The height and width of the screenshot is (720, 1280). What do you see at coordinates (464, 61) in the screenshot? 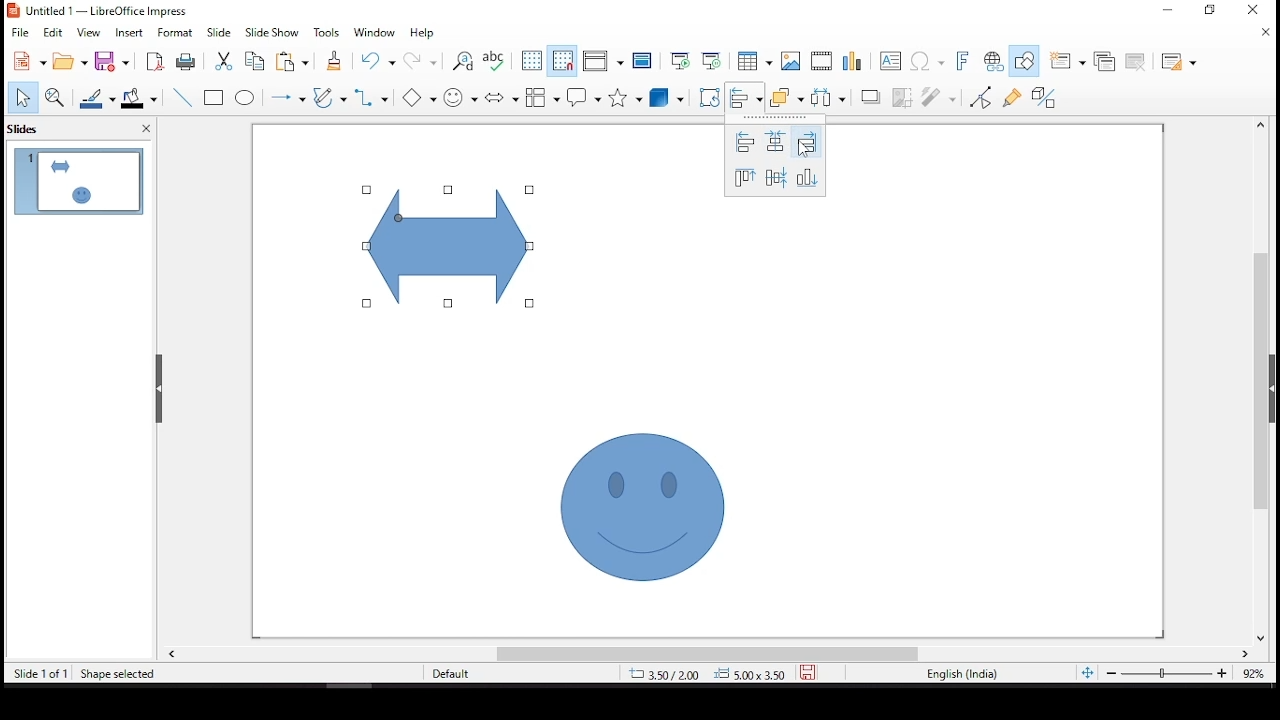
I see `find and replace` at bounding box center [464, 61].